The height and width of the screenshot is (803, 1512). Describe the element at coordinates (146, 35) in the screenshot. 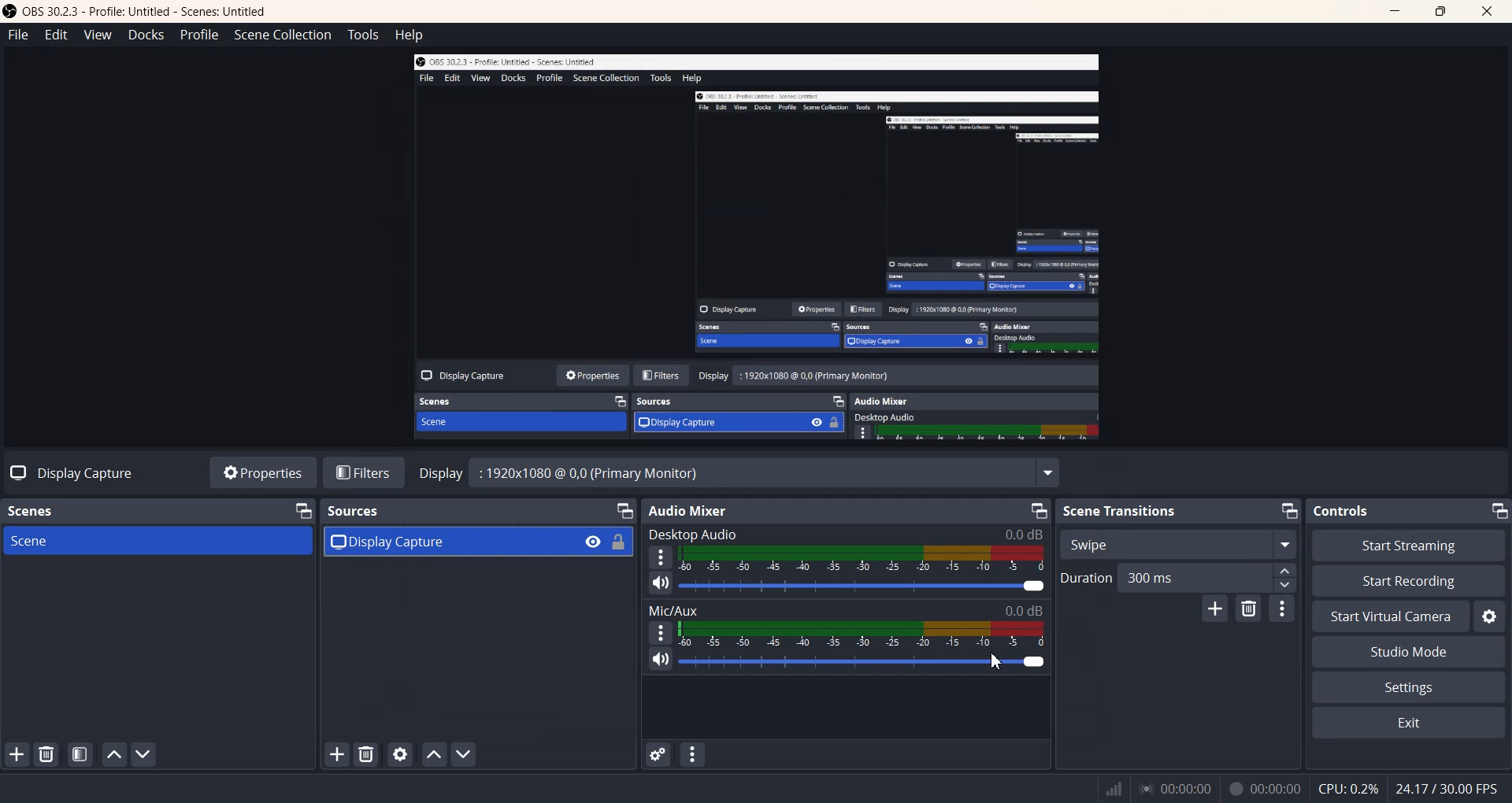

I see `Docks` at that location.